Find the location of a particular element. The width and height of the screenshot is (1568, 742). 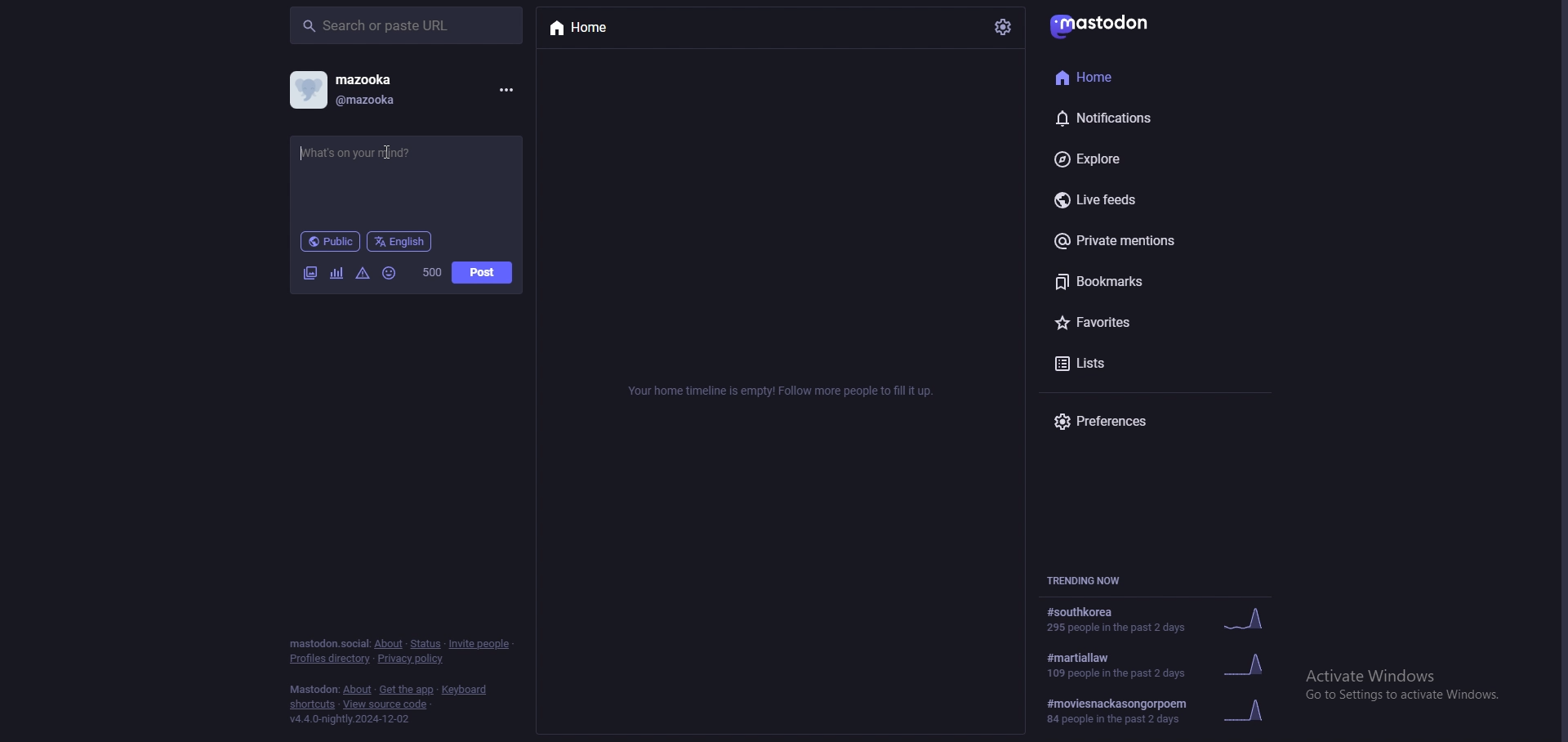

status input is located at coordinates (404, 172).